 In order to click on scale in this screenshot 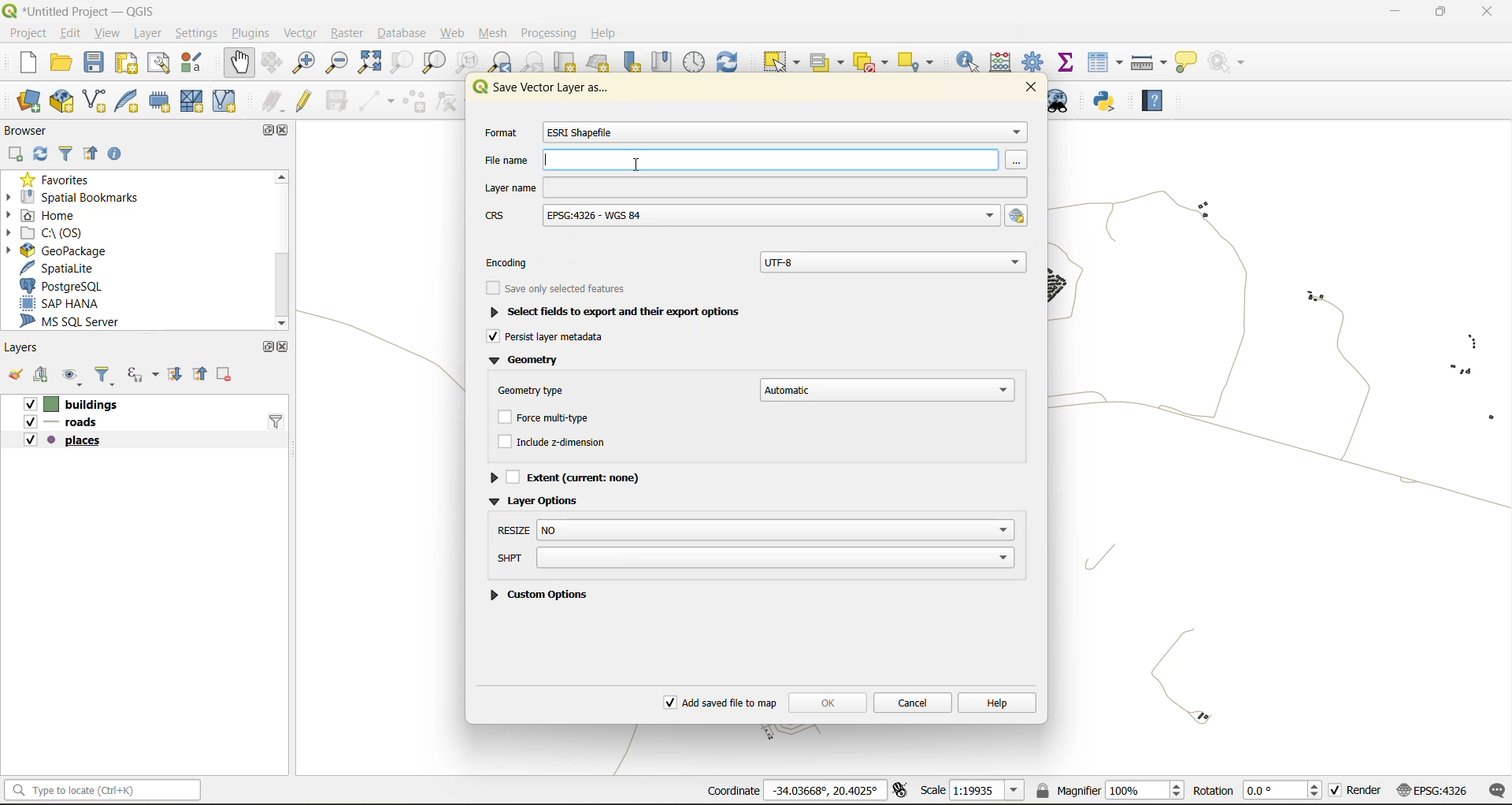, I will do `click(973, 792)`.